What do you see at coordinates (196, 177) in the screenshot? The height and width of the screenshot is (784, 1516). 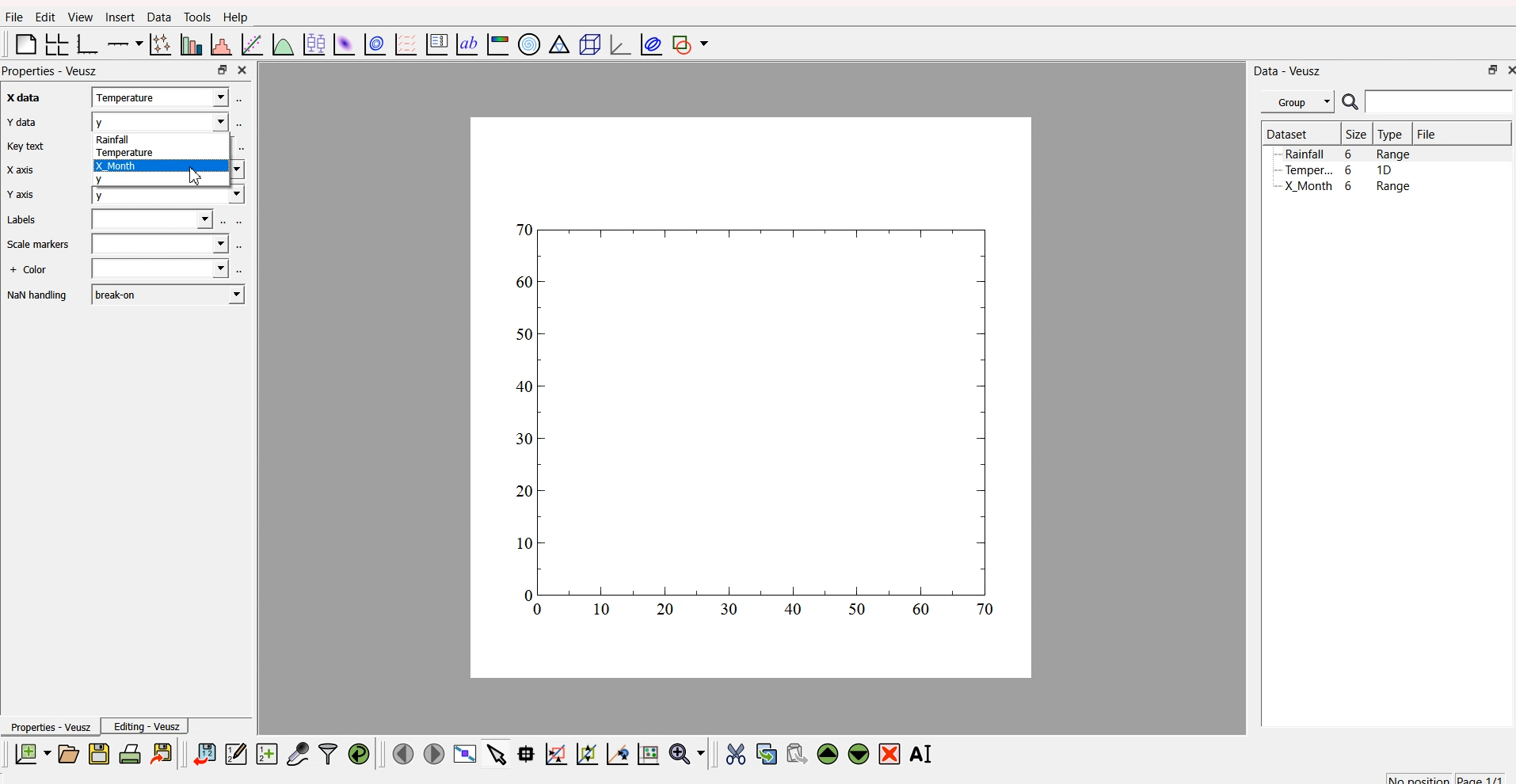 I see `cursor` at bounding box center [196, 177].